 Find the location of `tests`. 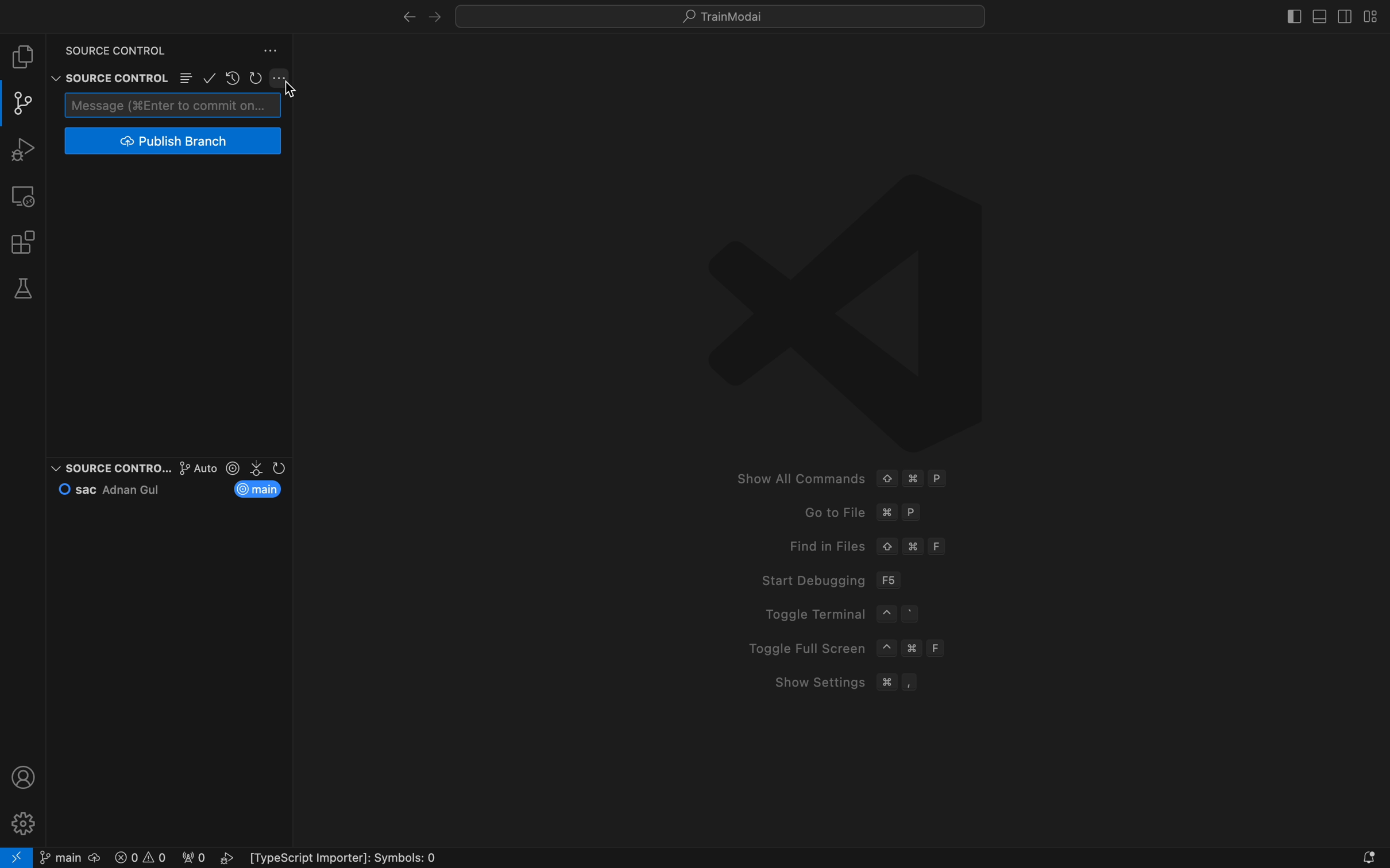

tests is located at coordinates (27, 289).